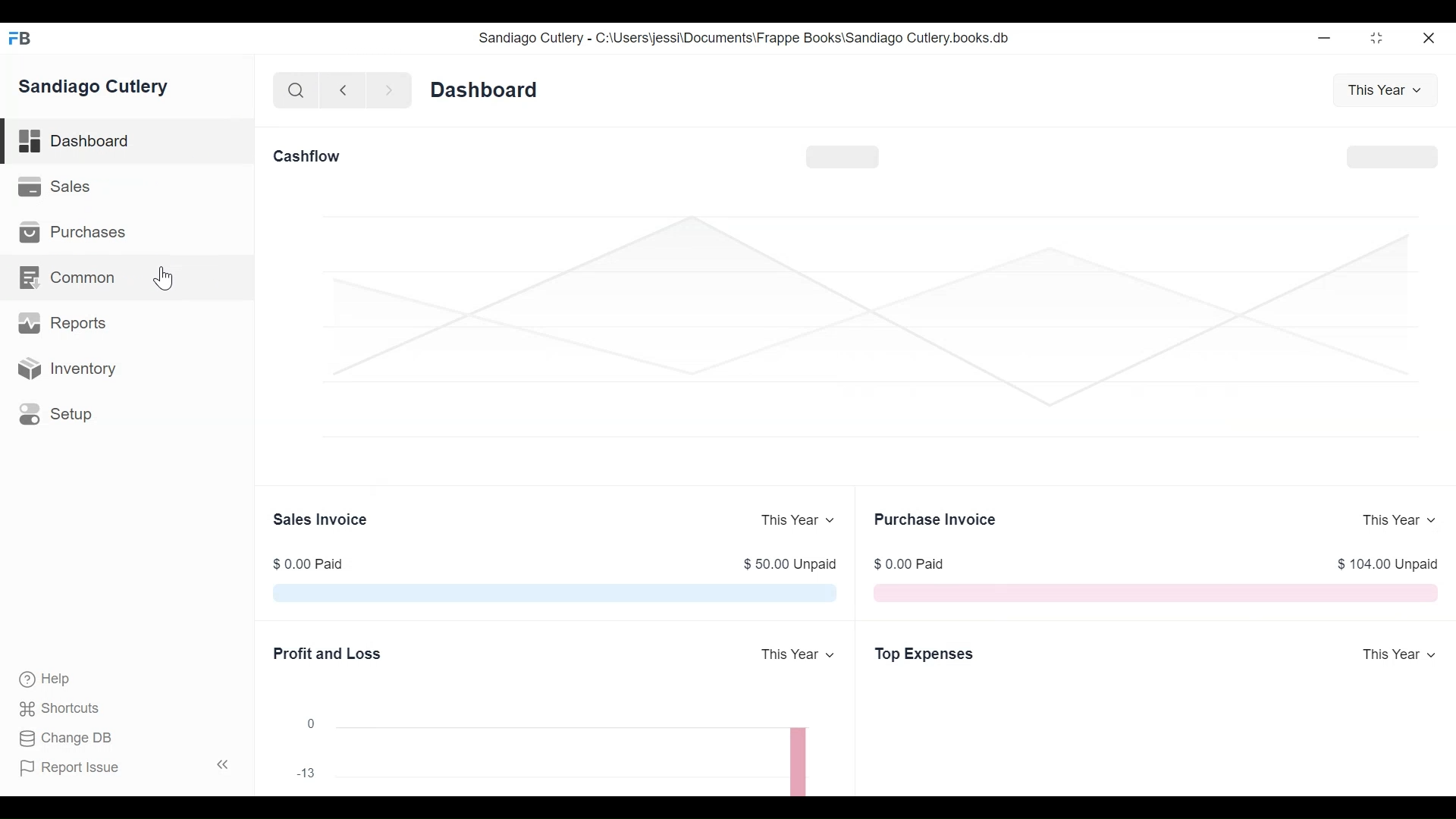  Describe the element at coordinates (485, 89) in the screenshot. I see `Dashboard` at that location.